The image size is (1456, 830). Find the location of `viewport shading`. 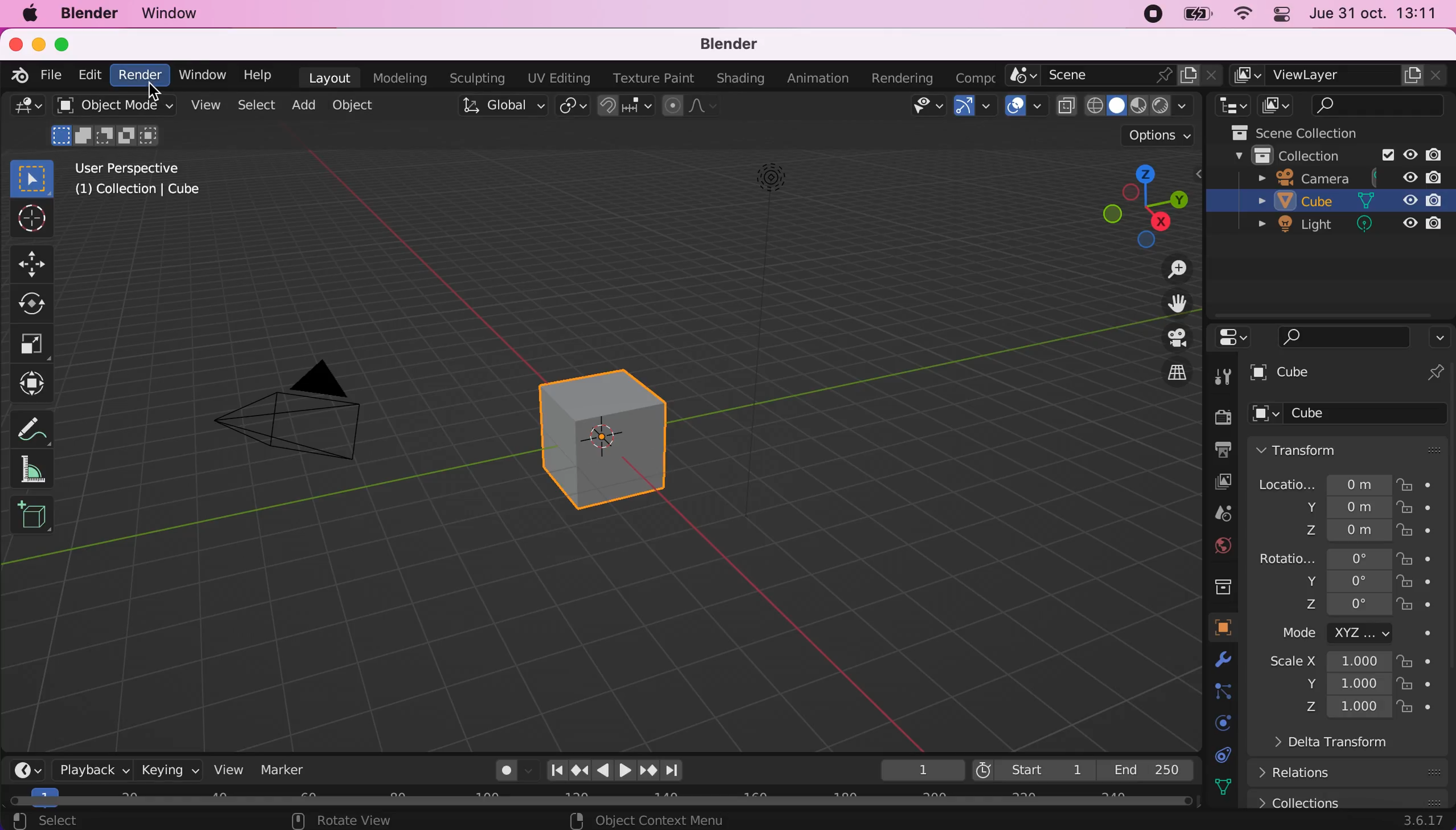

viewport shading is located at coordinates (1125, 106).